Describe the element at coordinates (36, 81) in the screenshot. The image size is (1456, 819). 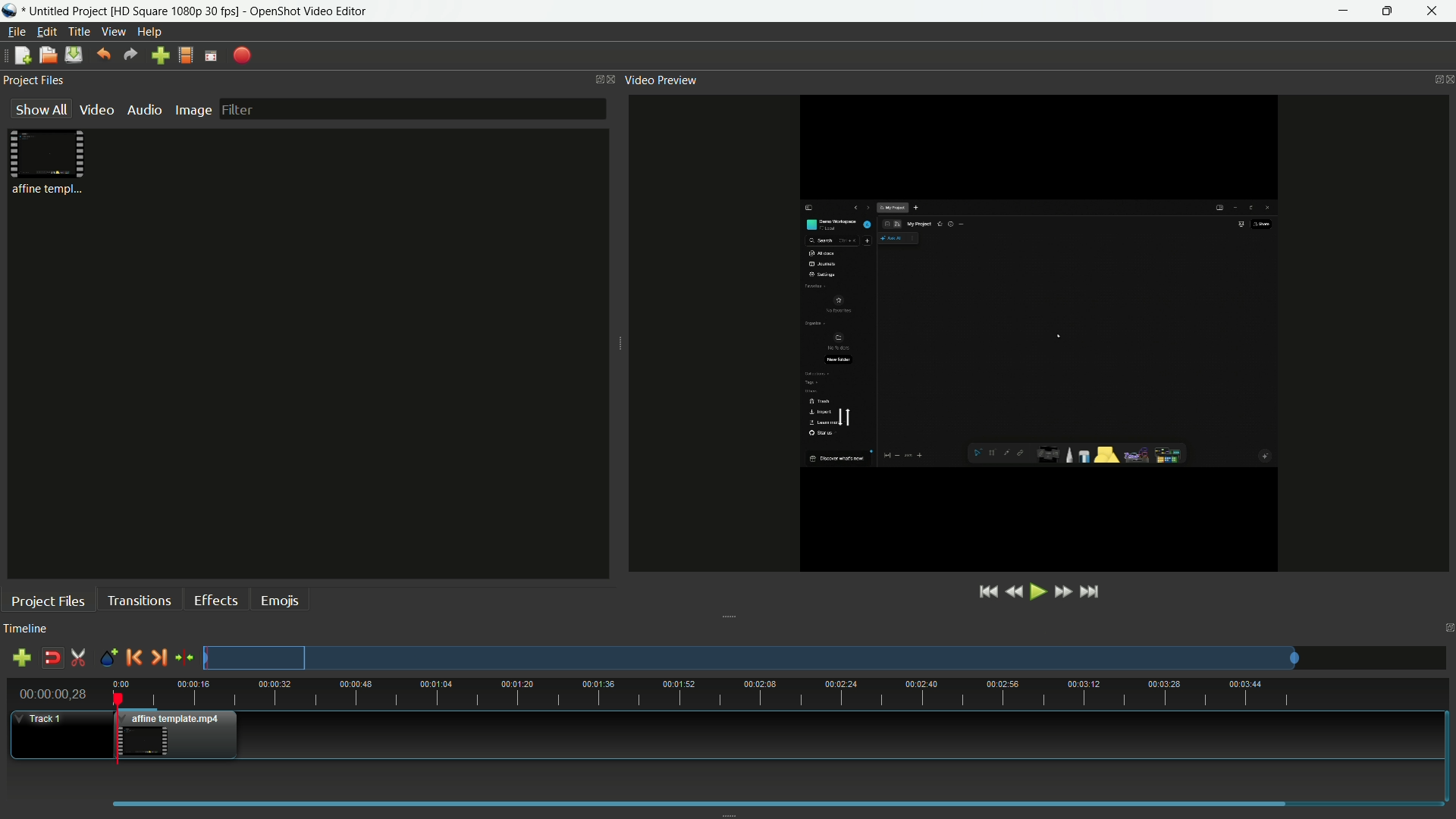
I see `project files` at that location.